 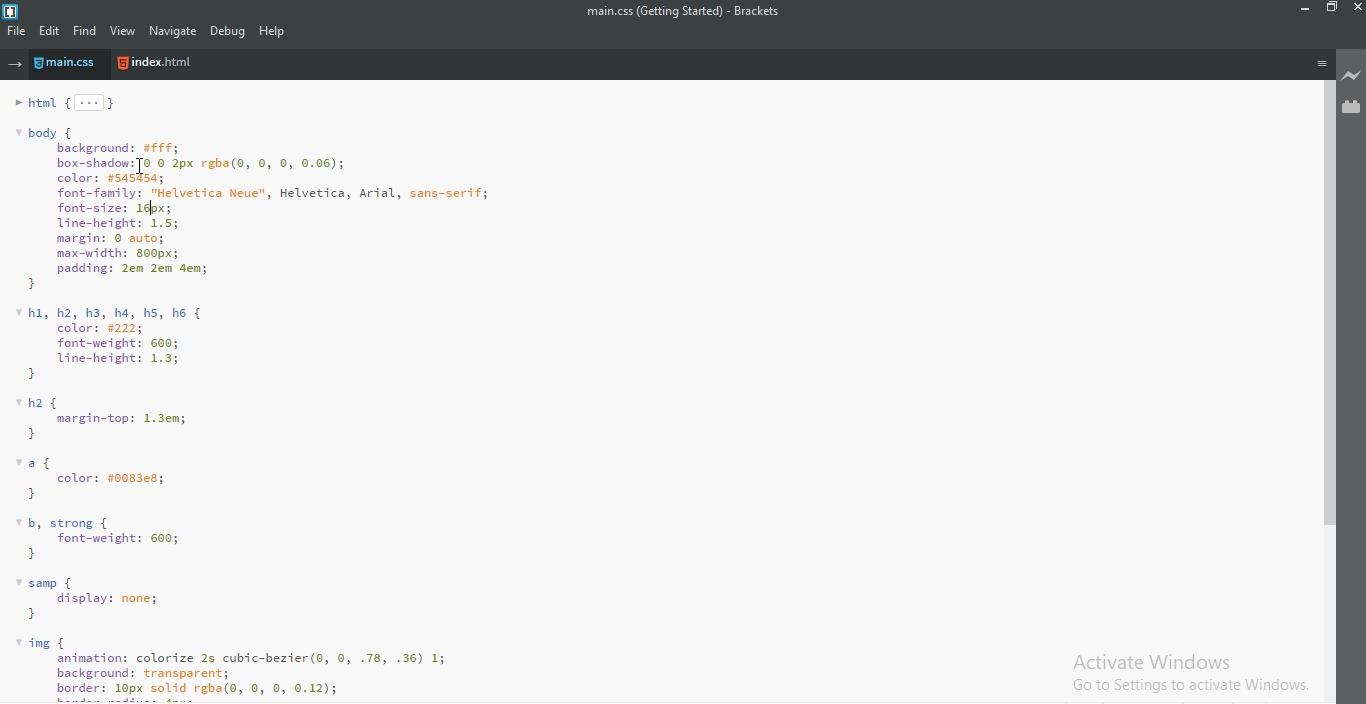 I want to click on main.css, so click(x=73, y=65).